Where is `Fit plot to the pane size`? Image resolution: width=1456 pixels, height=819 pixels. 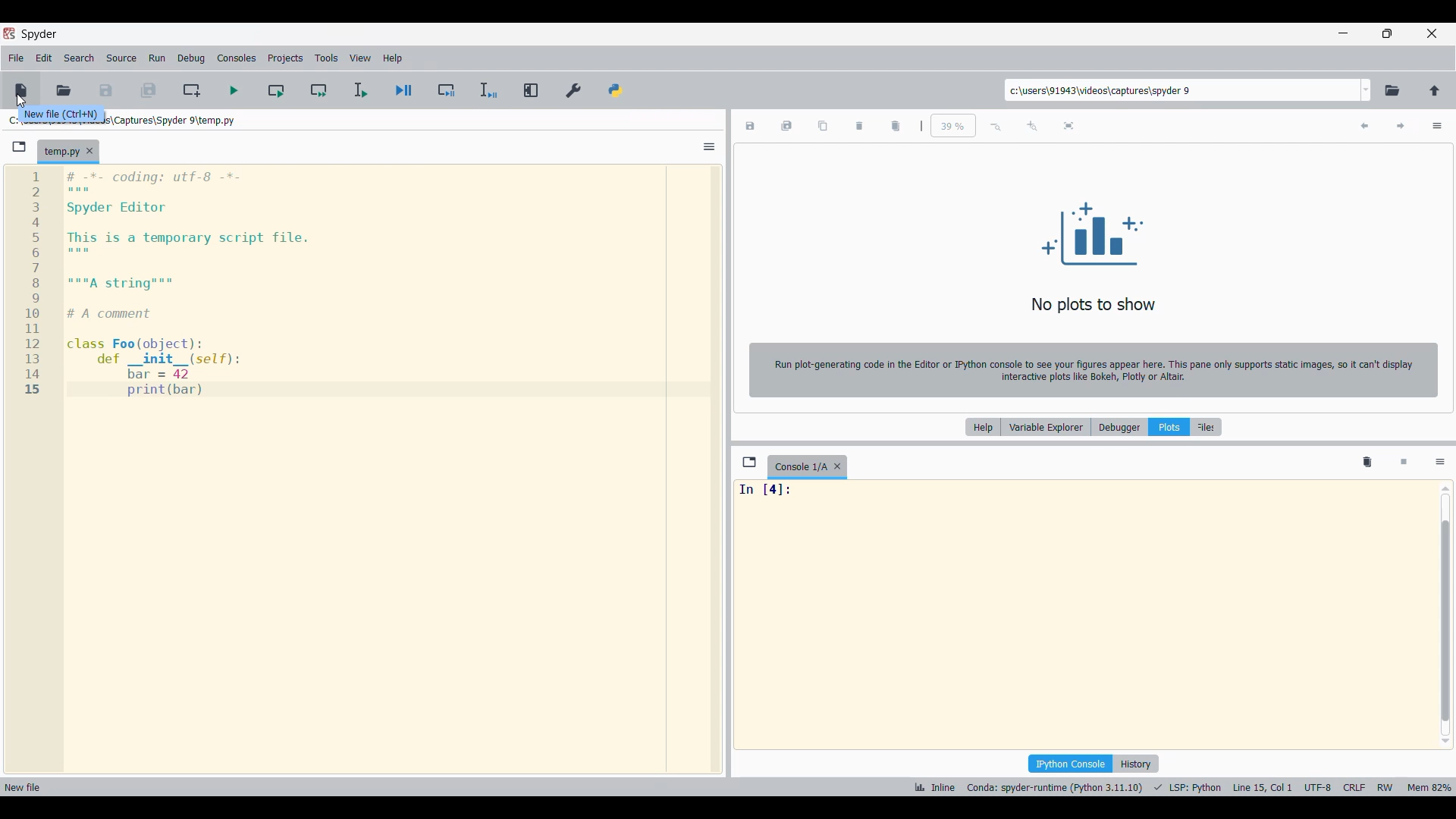
Fit plot to the pane size is located at coordinates (1068, 126).